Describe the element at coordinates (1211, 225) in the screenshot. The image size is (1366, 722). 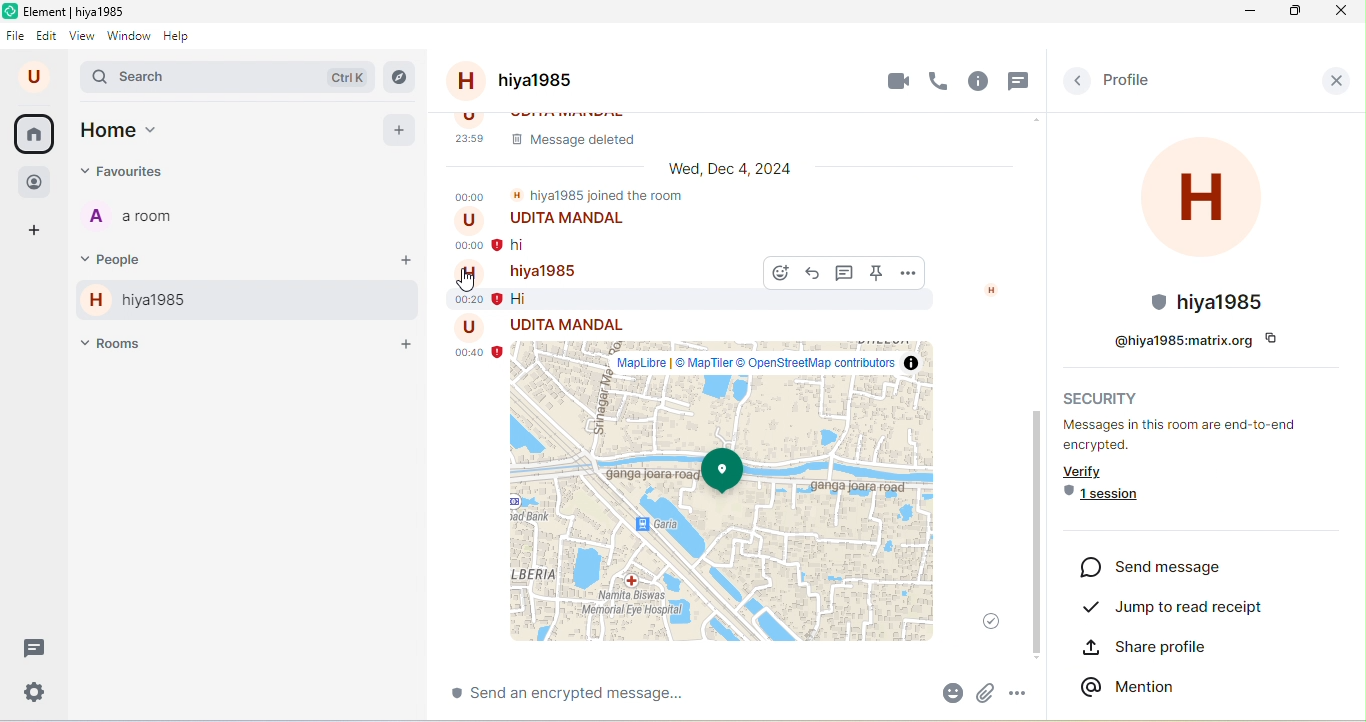
I see `hiya 1985` at that location.